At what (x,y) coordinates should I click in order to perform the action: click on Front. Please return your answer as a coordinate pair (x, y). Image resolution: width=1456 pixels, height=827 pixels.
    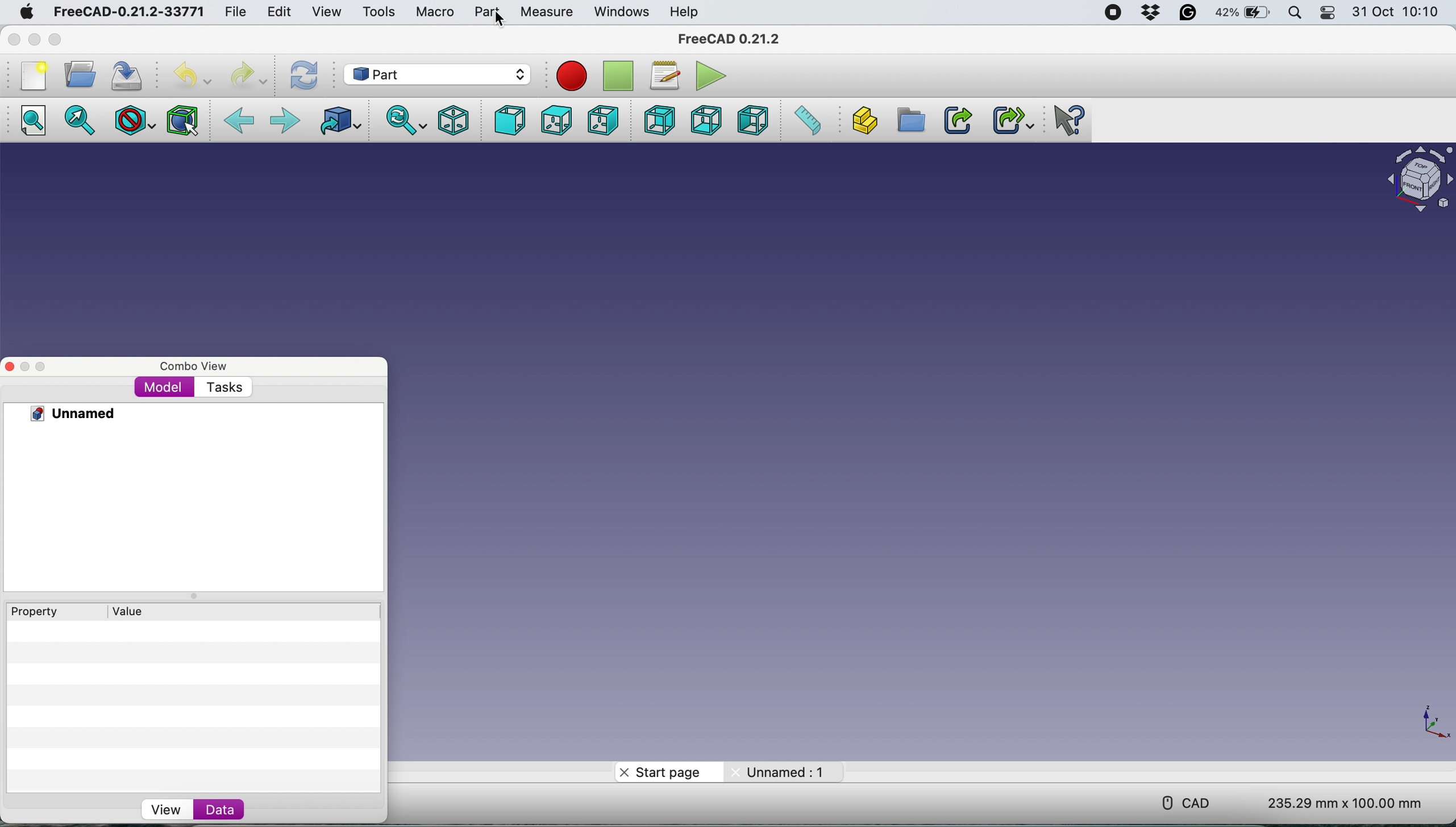
    Looking at the image, I should click on (505, 120).